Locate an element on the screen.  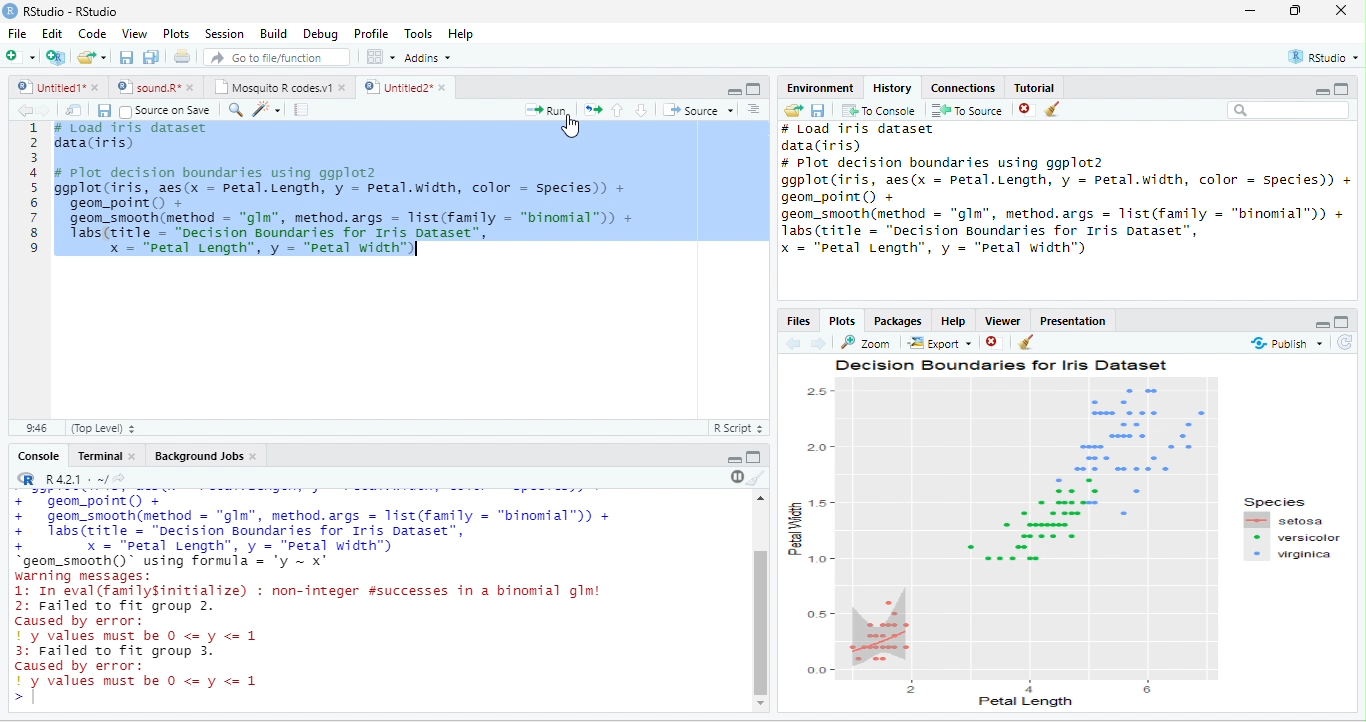
“geom_smooth() using formula = 'y ~ x° is located at coordinates (184, 561).